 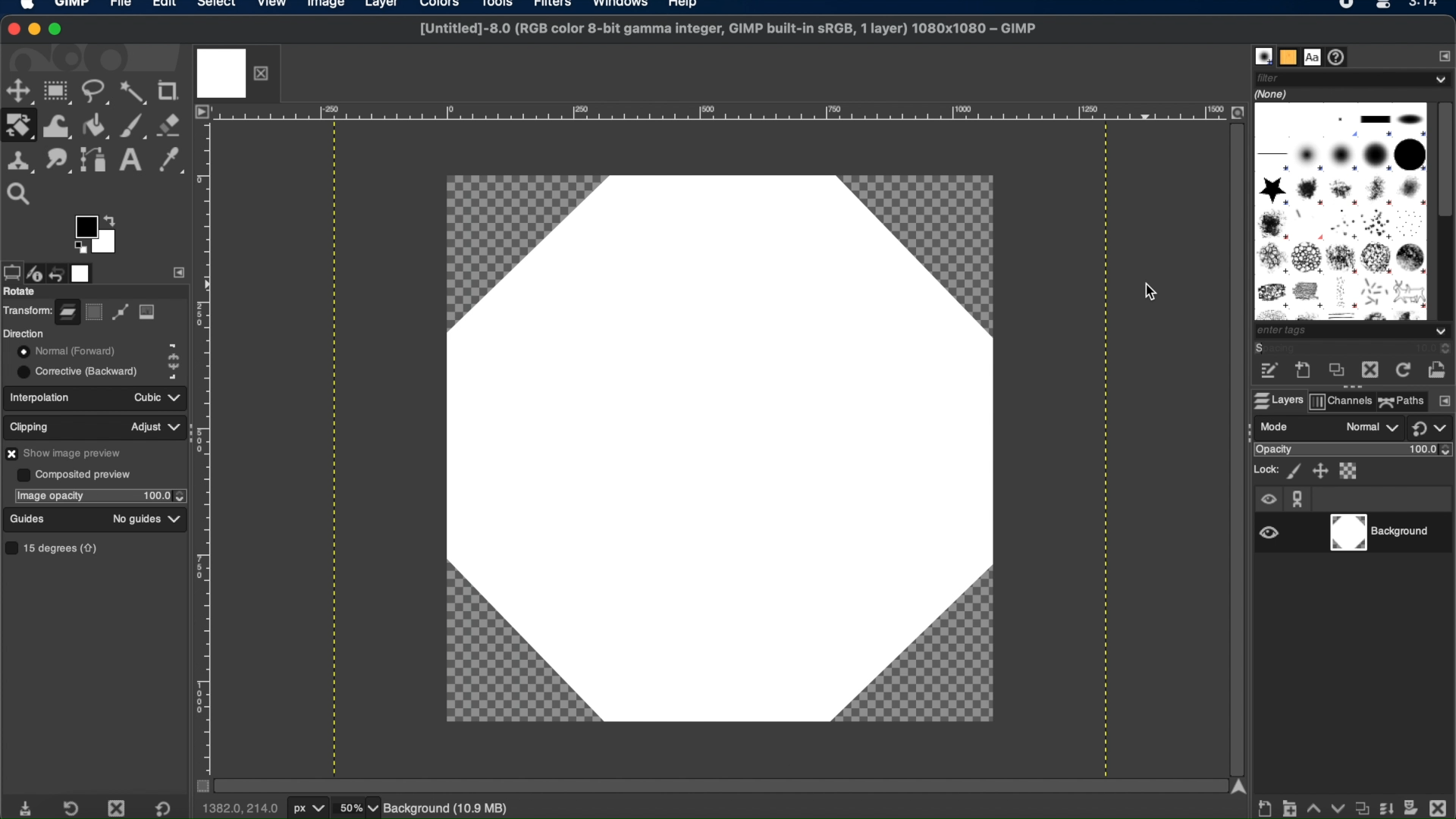 What do you see at coordinates (1238, 786) in the screenshot?
I see `scroll up arrow` at bounding box center [1238, 786].